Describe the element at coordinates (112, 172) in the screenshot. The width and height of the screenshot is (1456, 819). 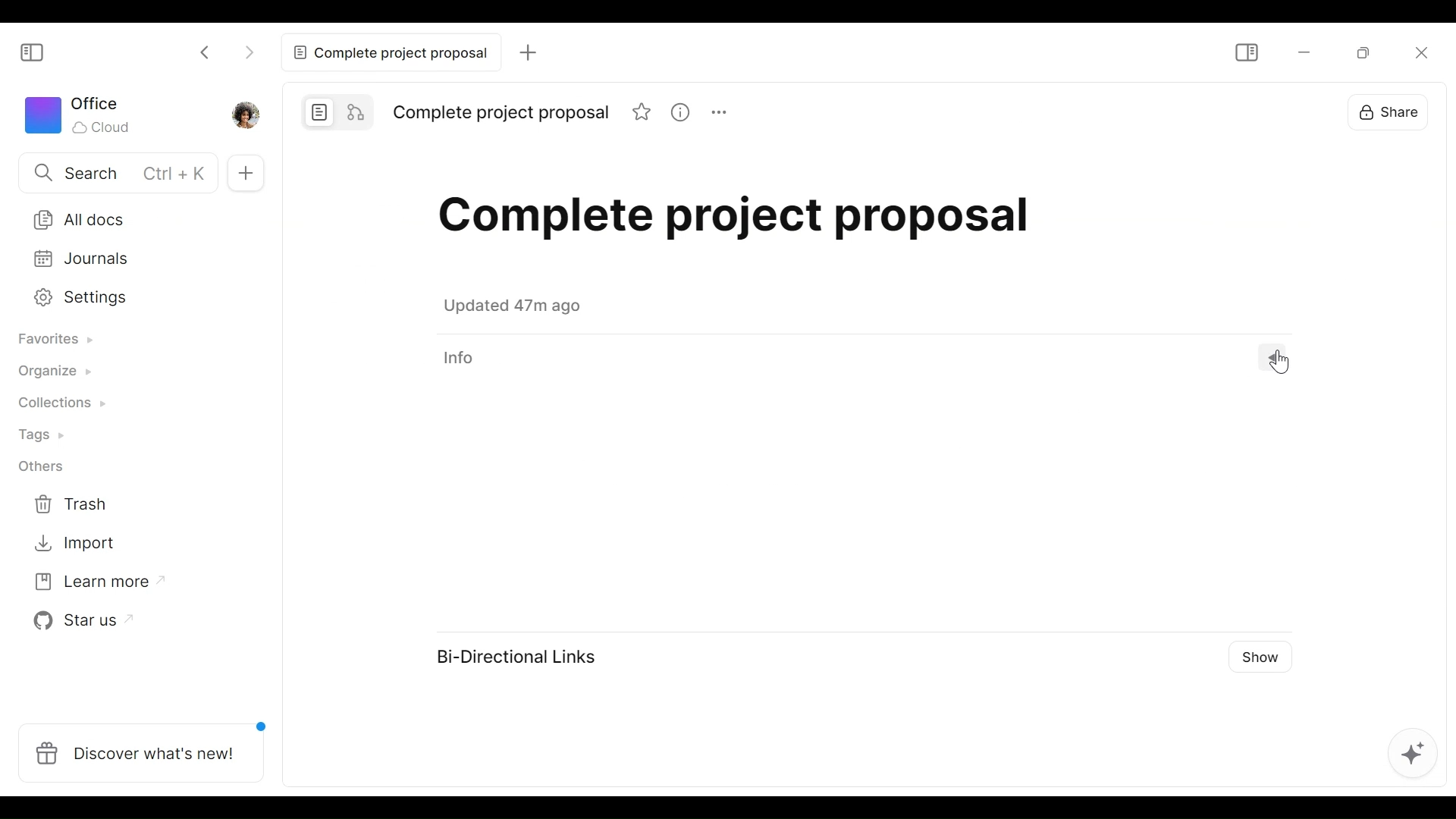
I see `Search` at that location.